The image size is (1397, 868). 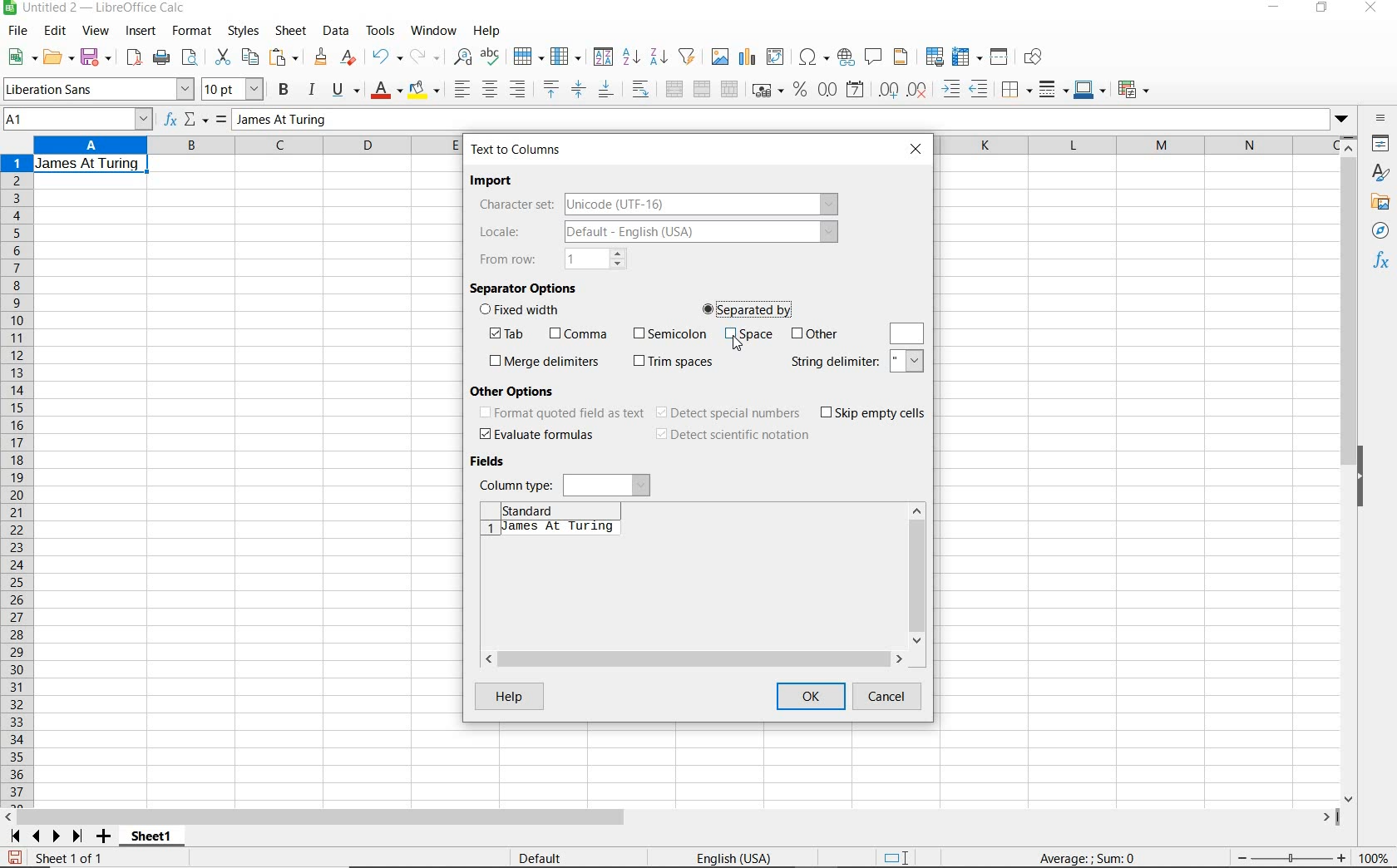 I want to click on clear direct formatting, so click(x=349, y=58).